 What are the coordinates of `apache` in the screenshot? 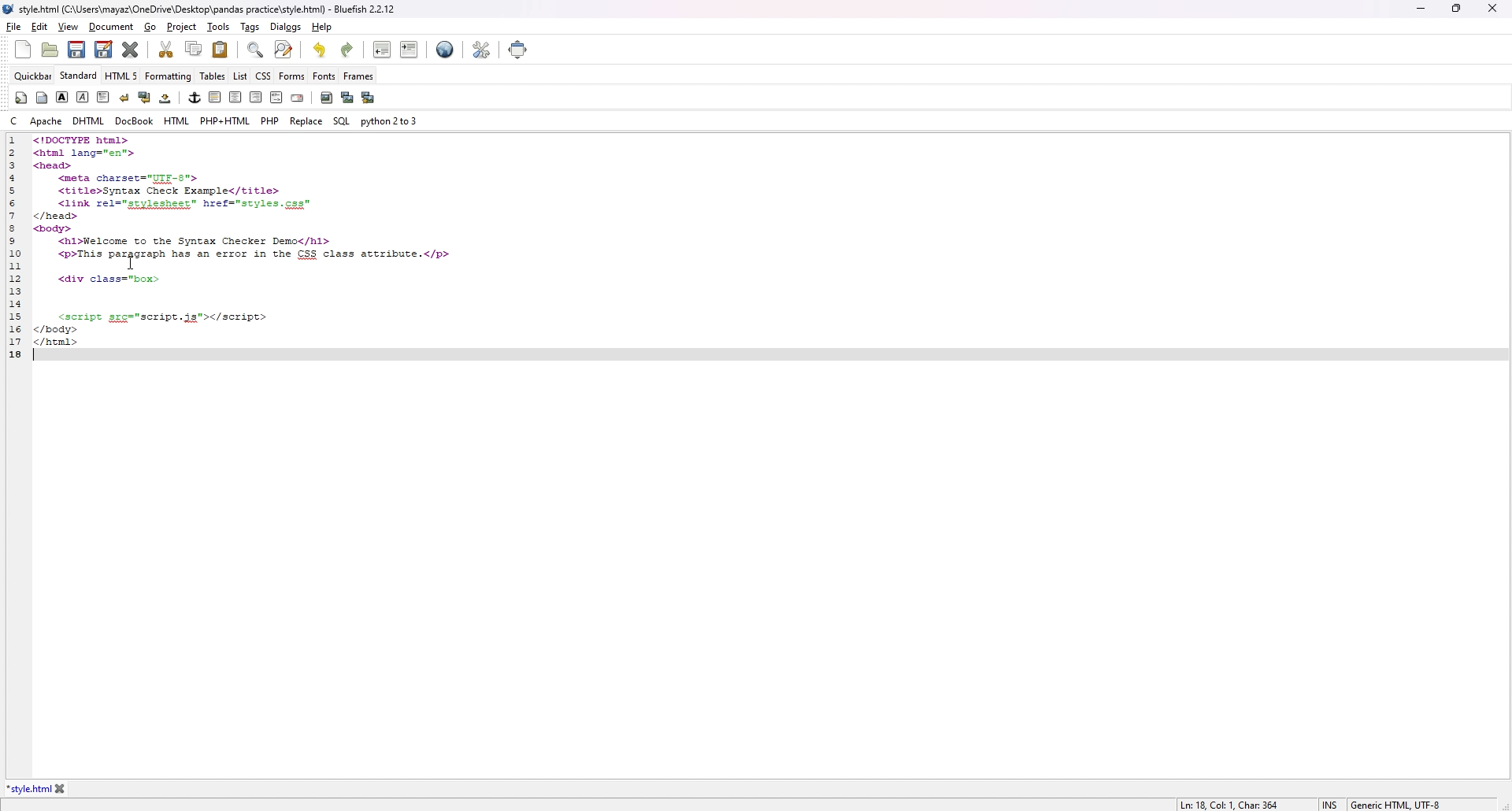 It's located at (47, 120).